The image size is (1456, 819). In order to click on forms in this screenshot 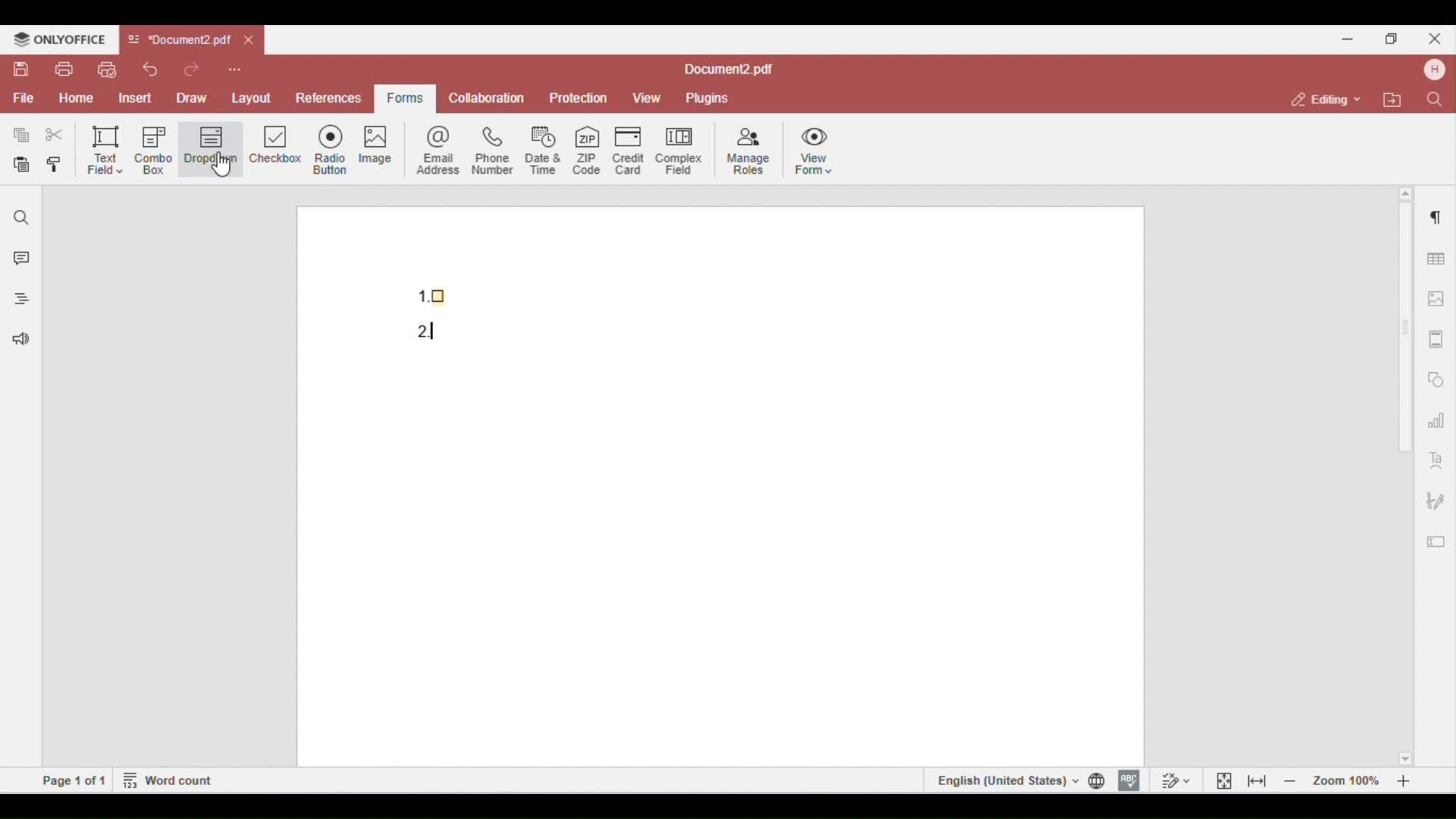, I will do `click(402, 99)`.